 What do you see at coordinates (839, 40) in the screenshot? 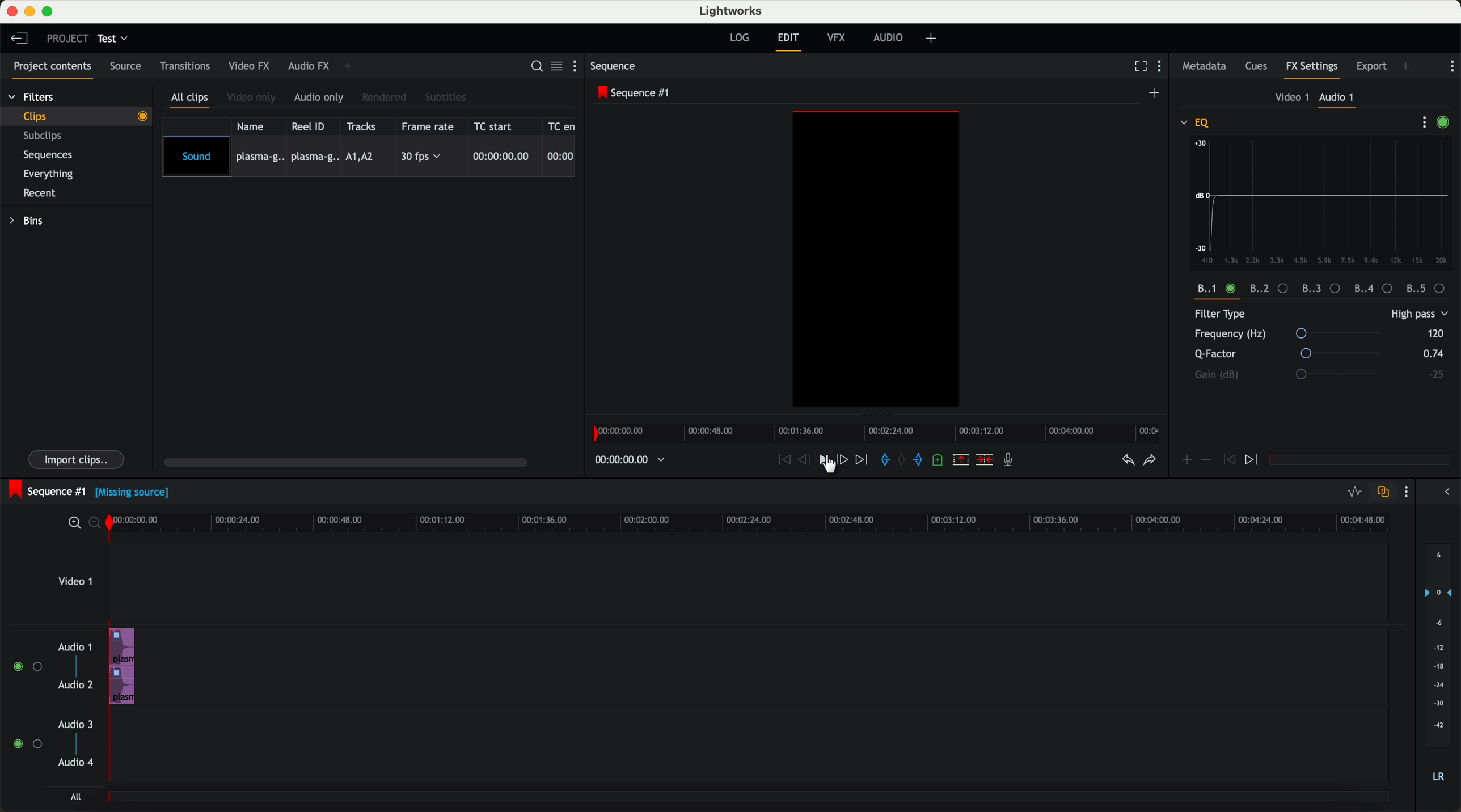
I see `VFX` at bounding box center [839, 40].